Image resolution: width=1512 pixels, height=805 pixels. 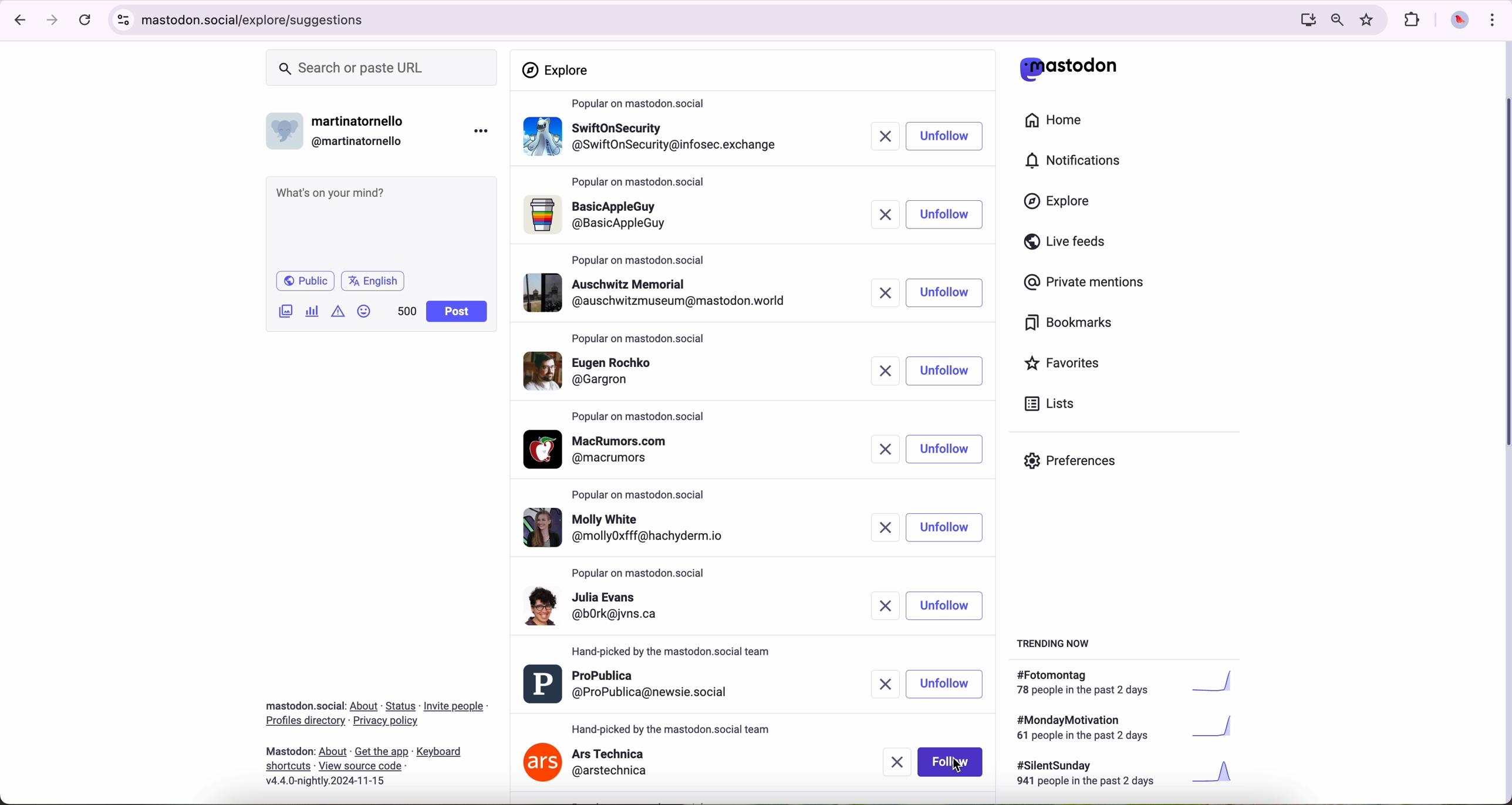 What do you see at coordinates (633, 612) in the screenshot?
I see `profile` at bounding box center [633, 612].